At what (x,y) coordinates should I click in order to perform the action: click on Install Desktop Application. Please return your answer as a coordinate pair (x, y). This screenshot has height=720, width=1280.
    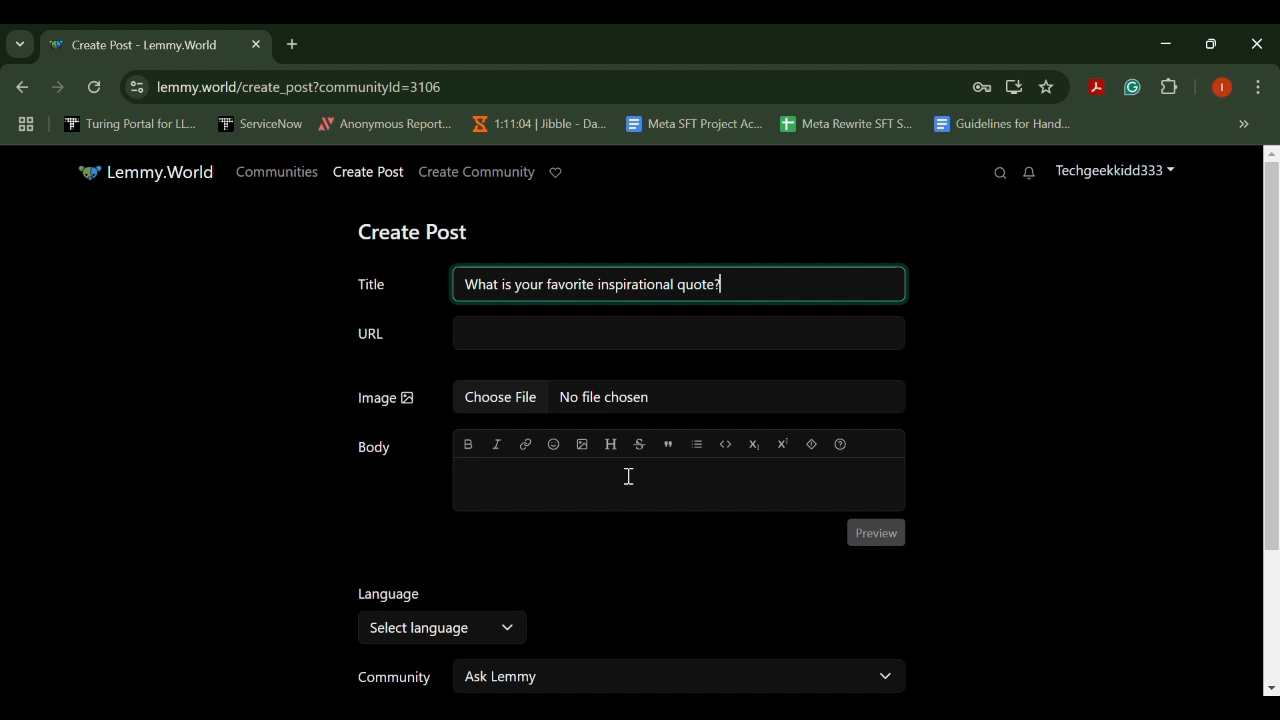
    Looking at the image, I should click on (1013, 87).